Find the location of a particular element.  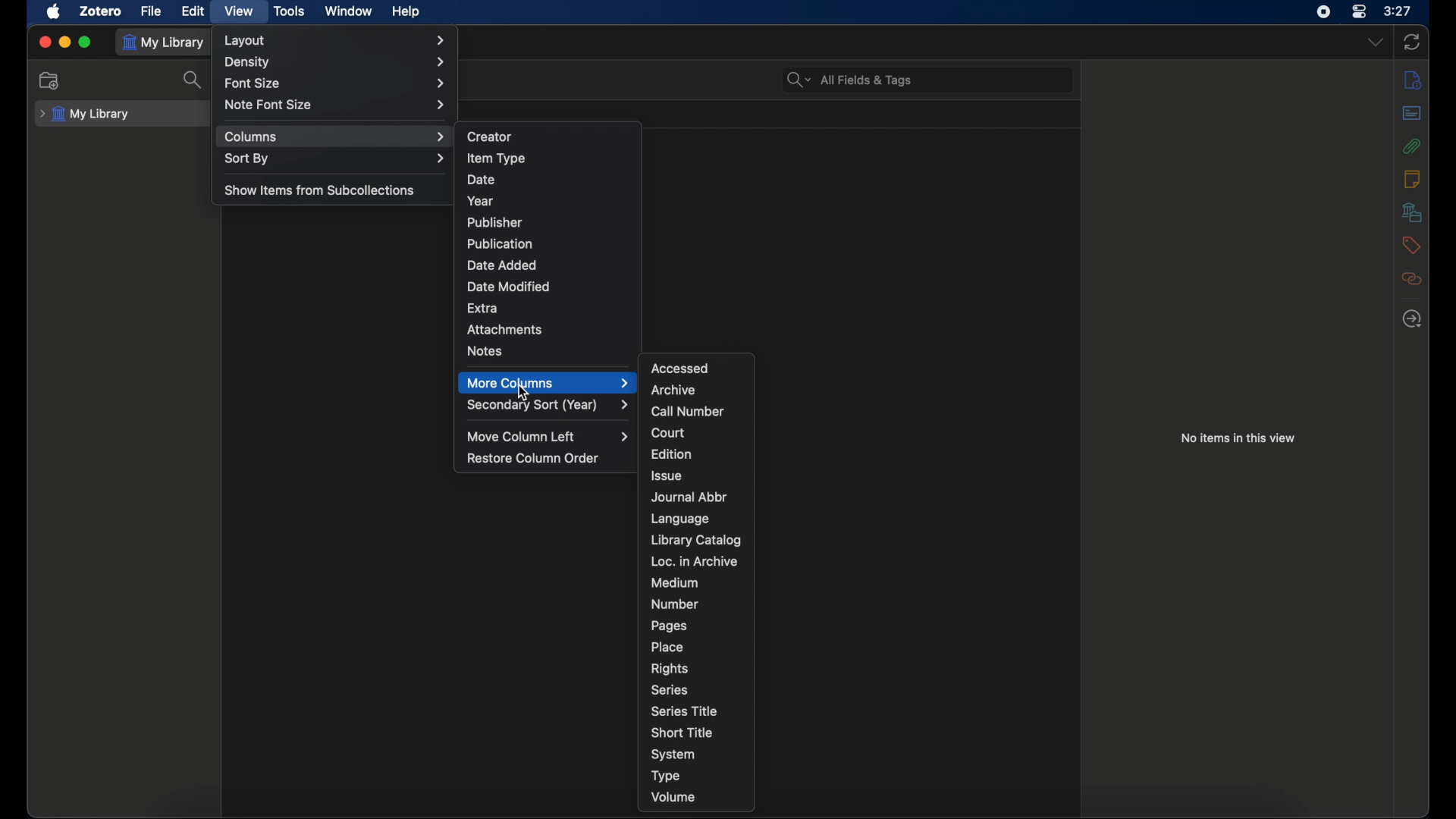

journal abbr is located at coordinates (690, 498).